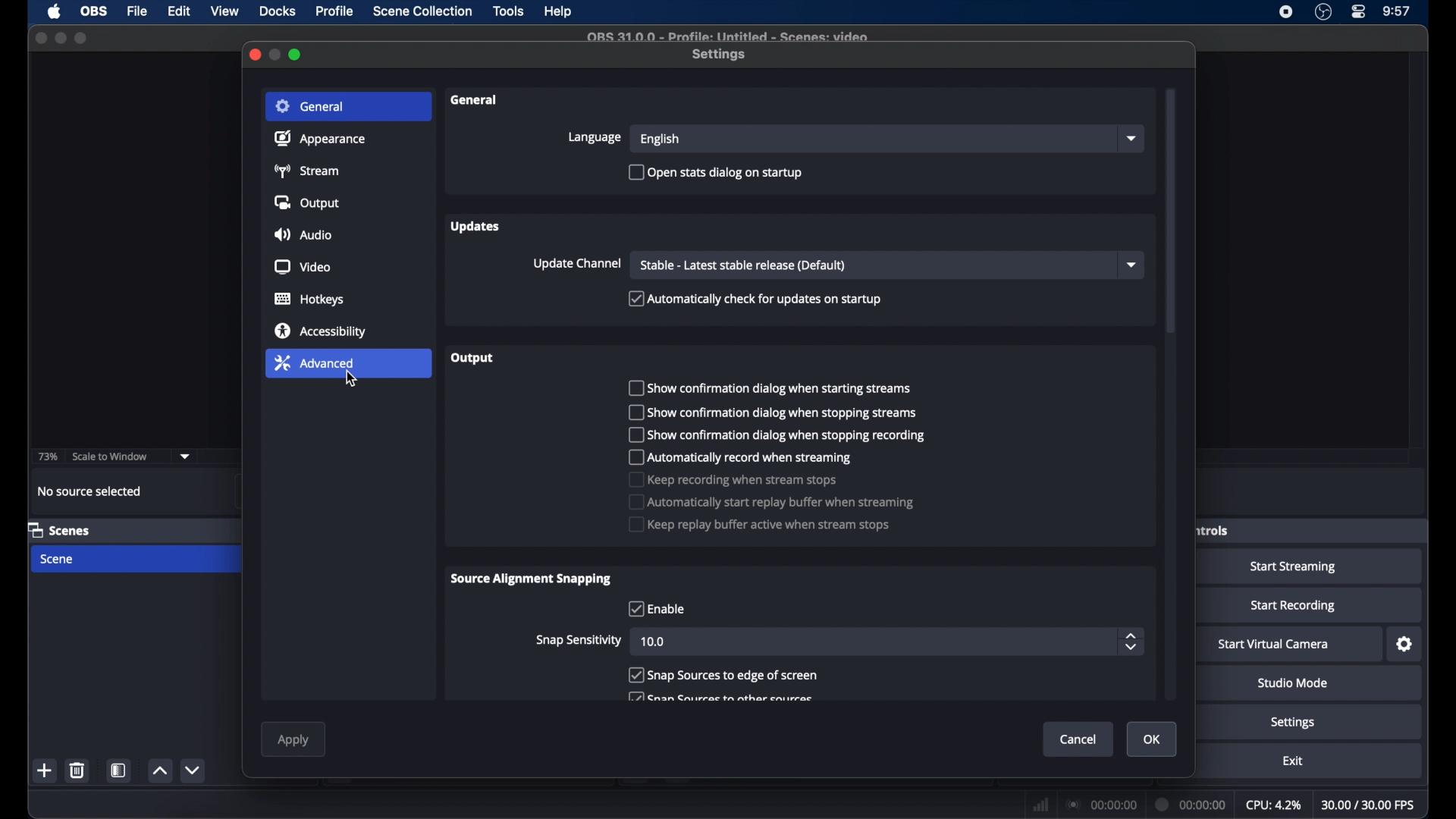  Describe the element at coordinates (1134, 139) in the screenshot. I see `dropdown` at that location.